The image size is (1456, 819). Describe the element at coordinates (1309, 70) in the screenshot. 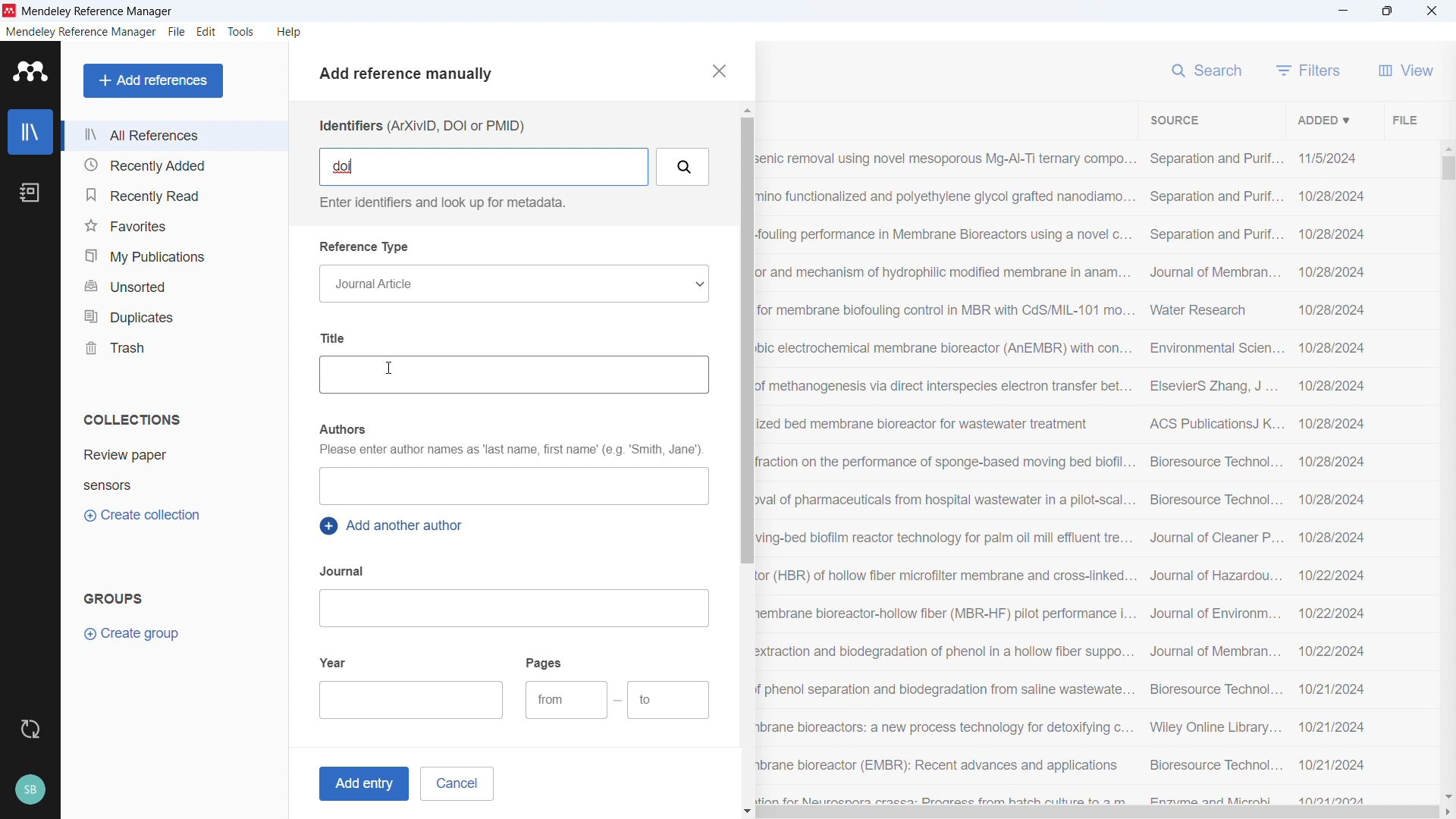

I see `filters` at that location.